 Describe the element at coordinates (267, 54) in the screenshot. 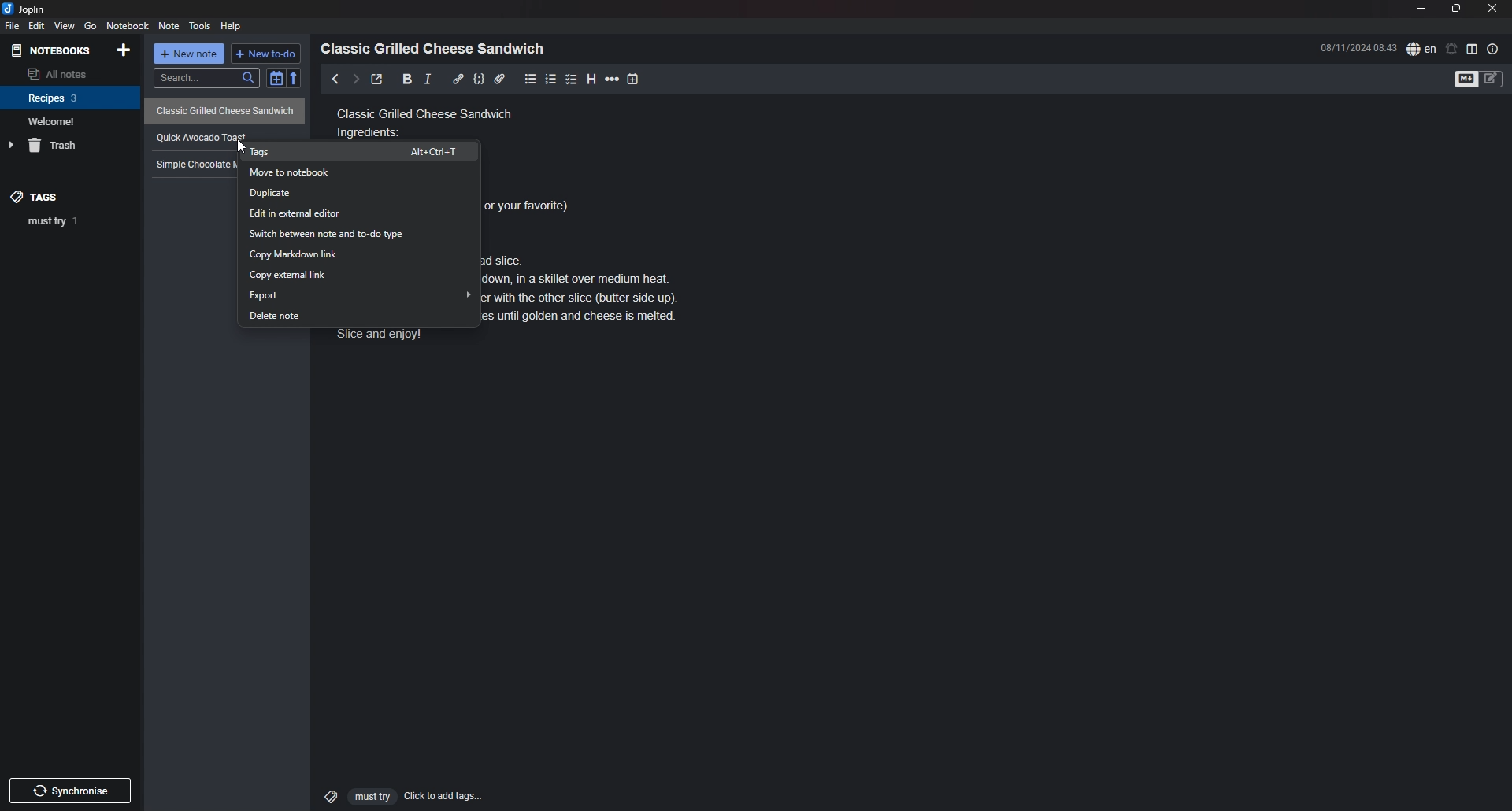

I see `new todo` at that location.